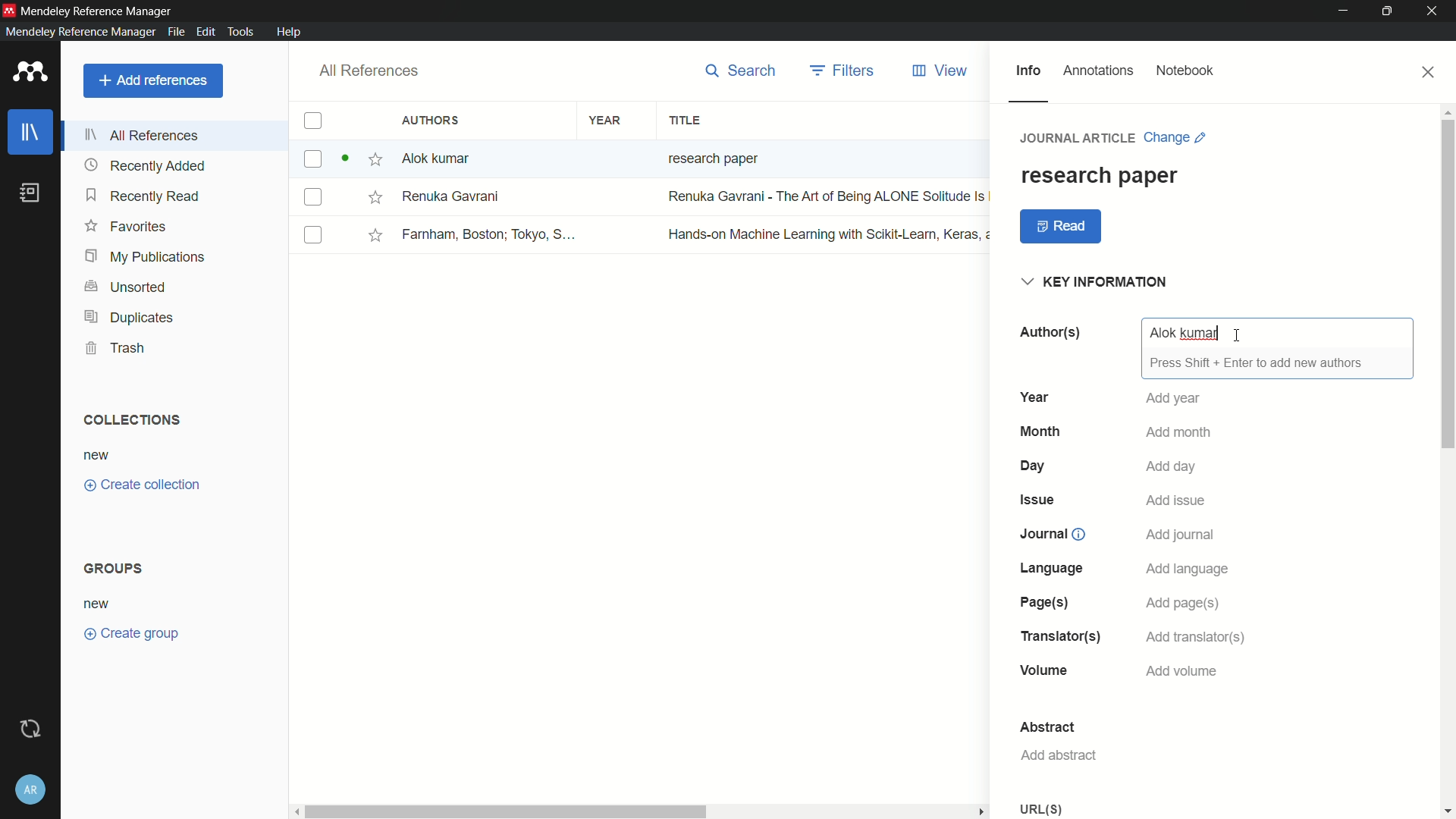  I want to click on book-3, so click(643, 234).